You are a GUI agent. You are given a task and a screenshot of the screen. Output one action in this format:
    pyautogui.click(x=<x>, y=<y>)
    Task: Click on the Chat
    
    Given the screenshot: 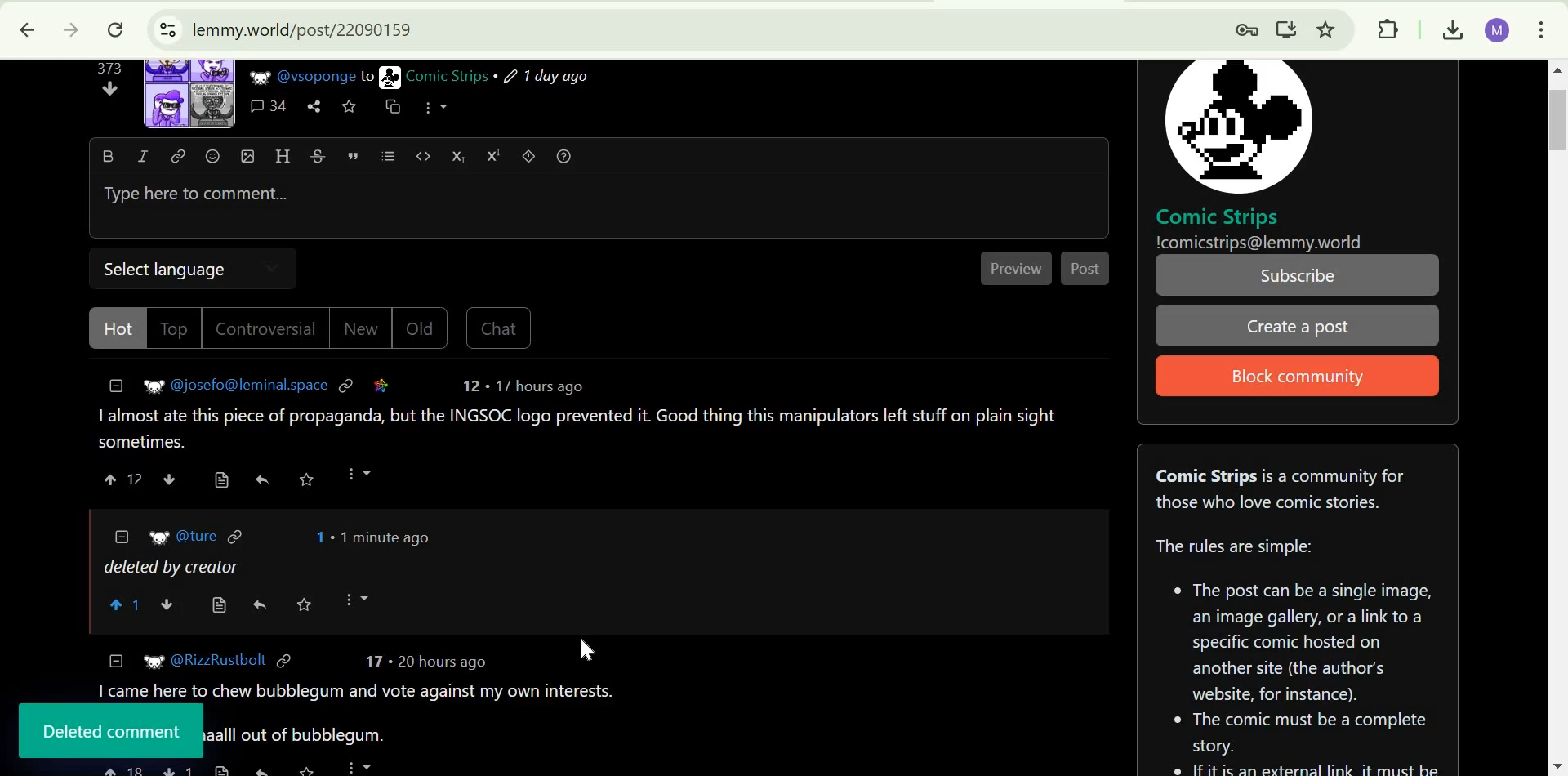 What is the action you would take?
    pyautogui.click(x=498, y=329)
    